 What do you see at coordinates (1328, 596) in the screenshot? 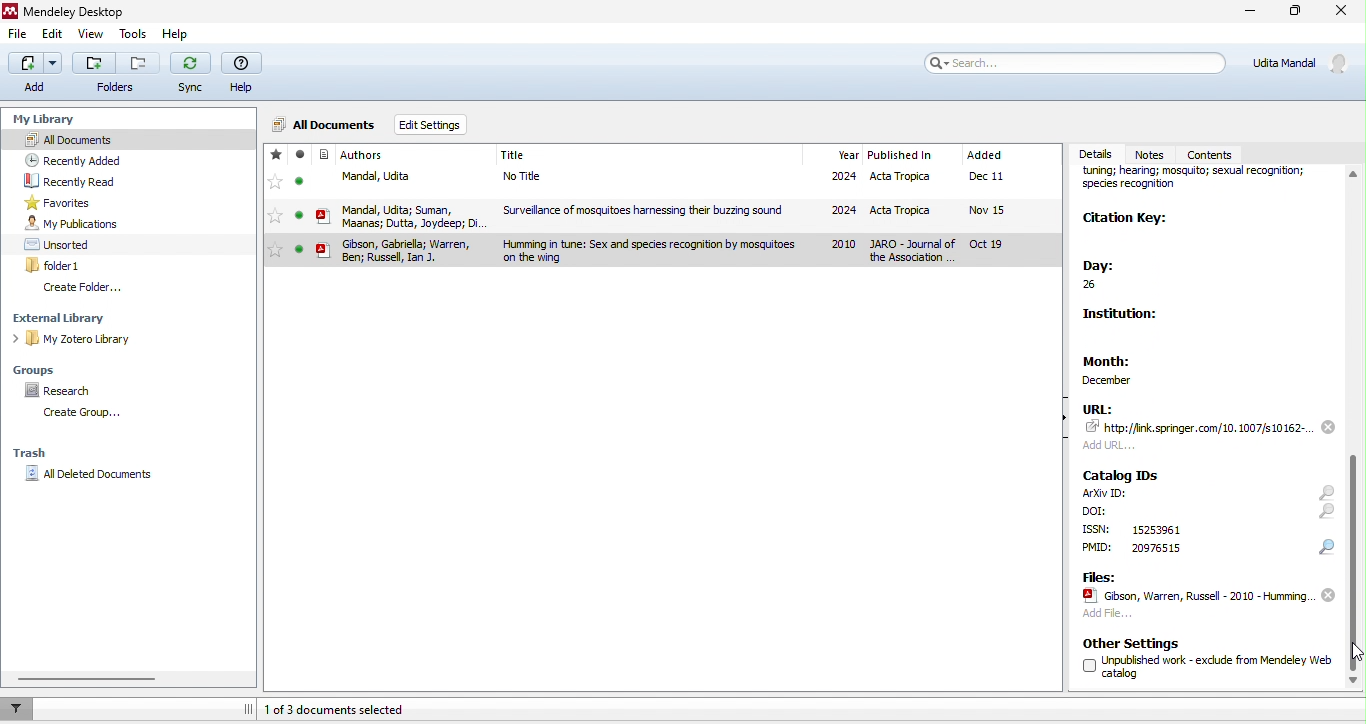
I see `remove` at bounding box center [1328, 596].